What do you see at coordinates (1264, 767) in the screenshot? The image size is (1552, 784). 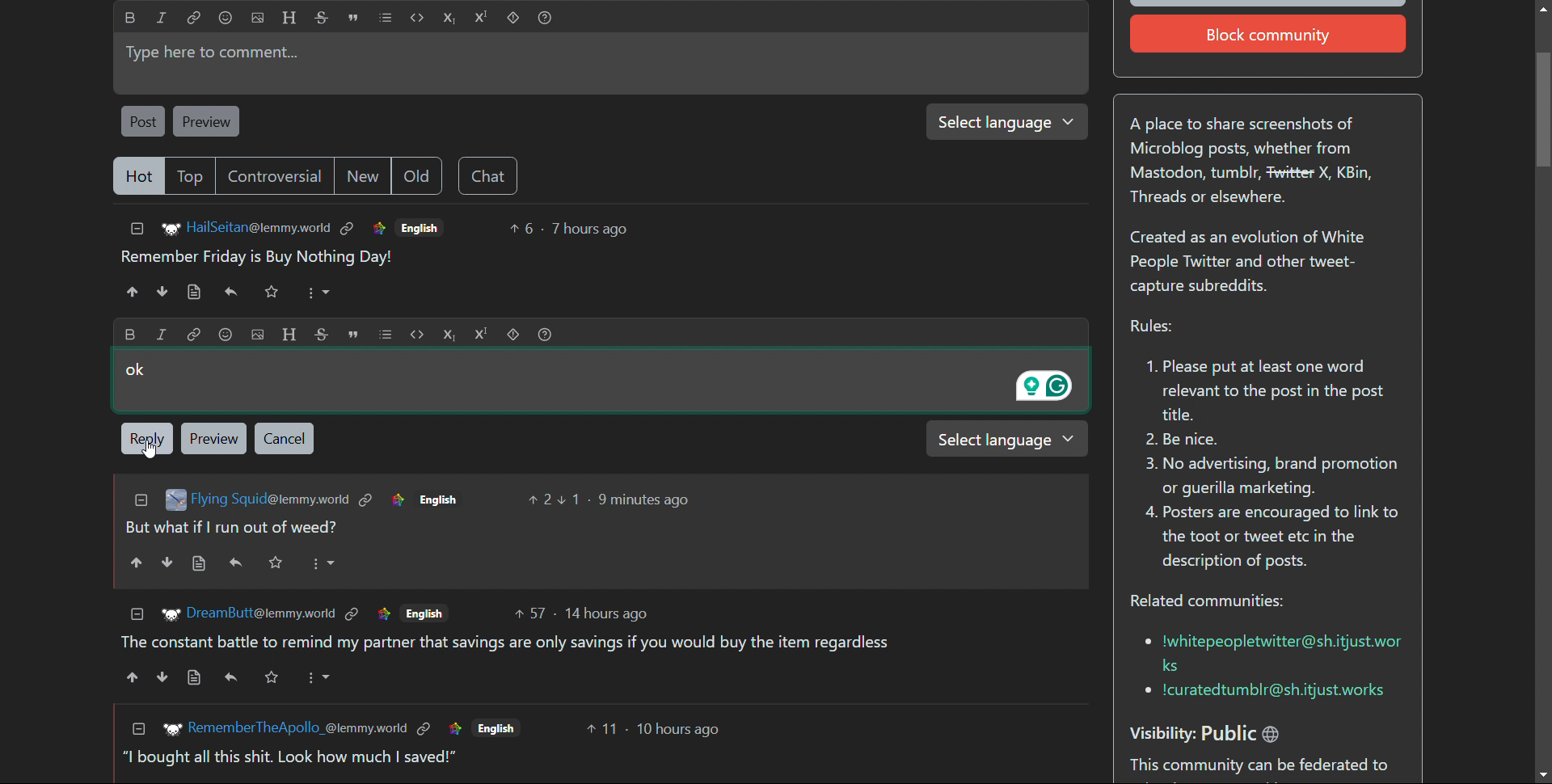 I see `This community can be federated to` at bounding box center [1264, 767].